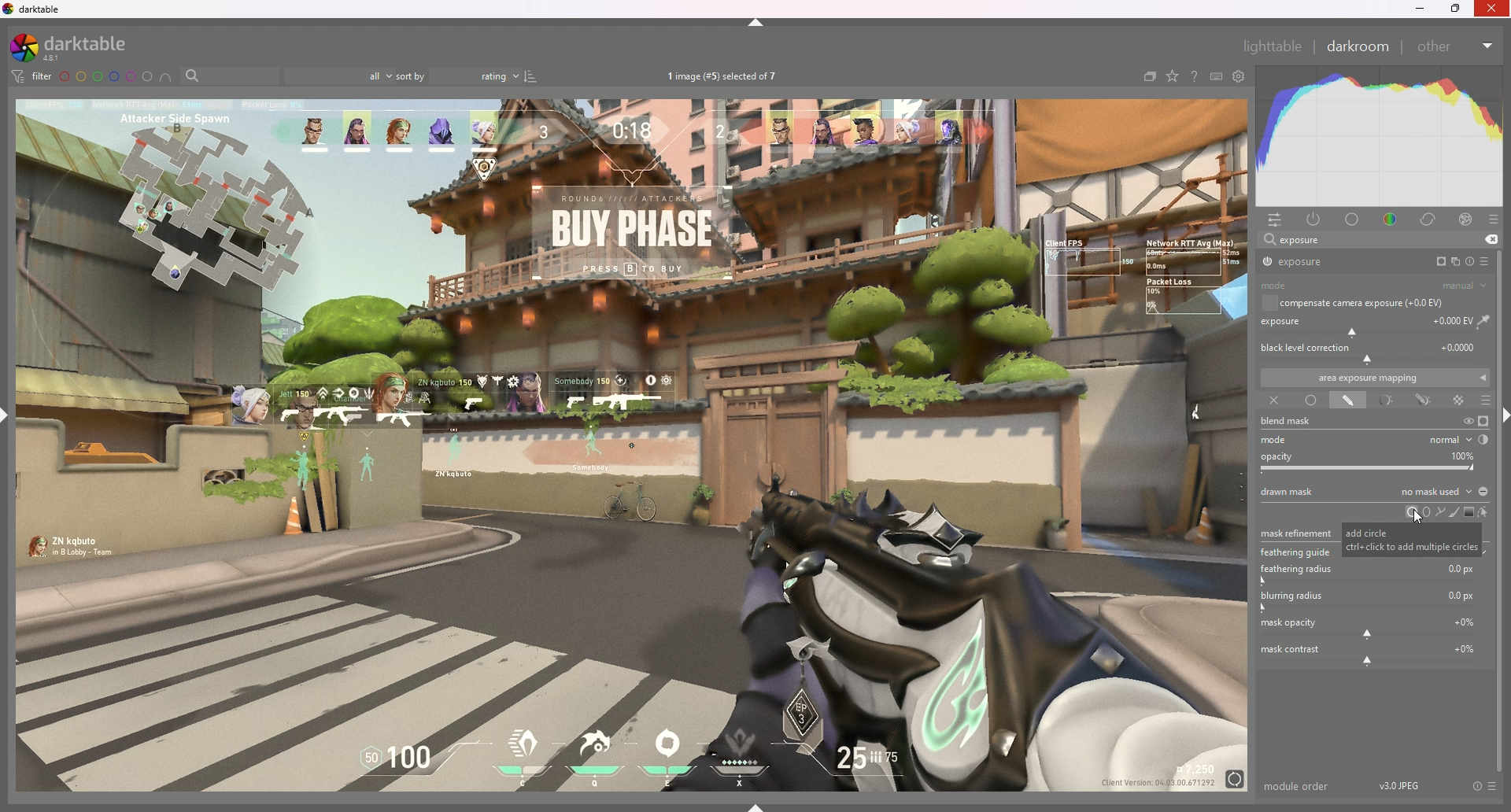 This screenshot has height=812, width=1511. What do you see at coordinates (1451, 262) in the screenshot?
I see `multiple instances action` at bounding box center [1451, 262].